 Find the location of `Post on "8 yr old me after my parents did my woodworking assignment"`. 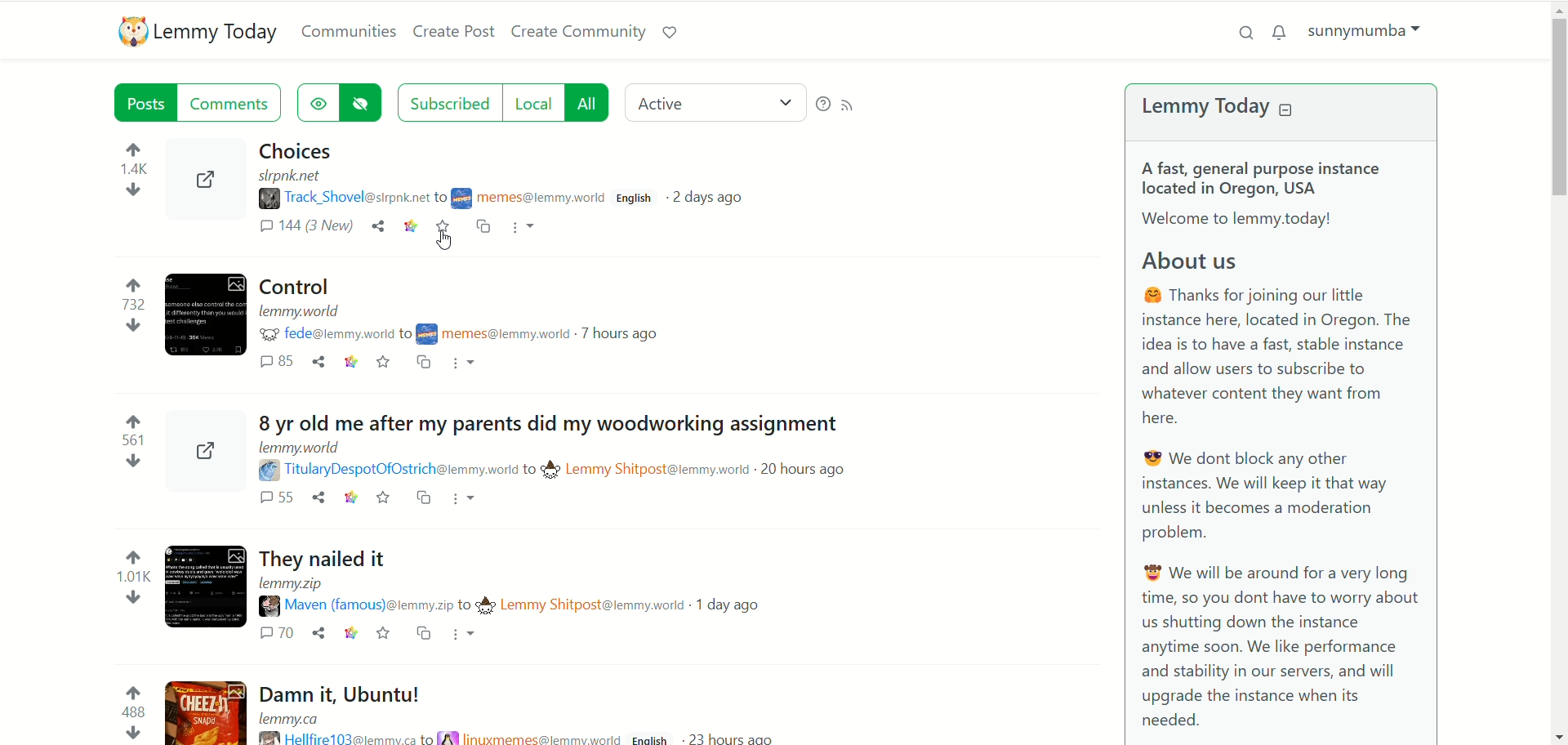

Post on "8 yr old me after my parents did my woodworking assignment" is located at coordinates (532, 429).